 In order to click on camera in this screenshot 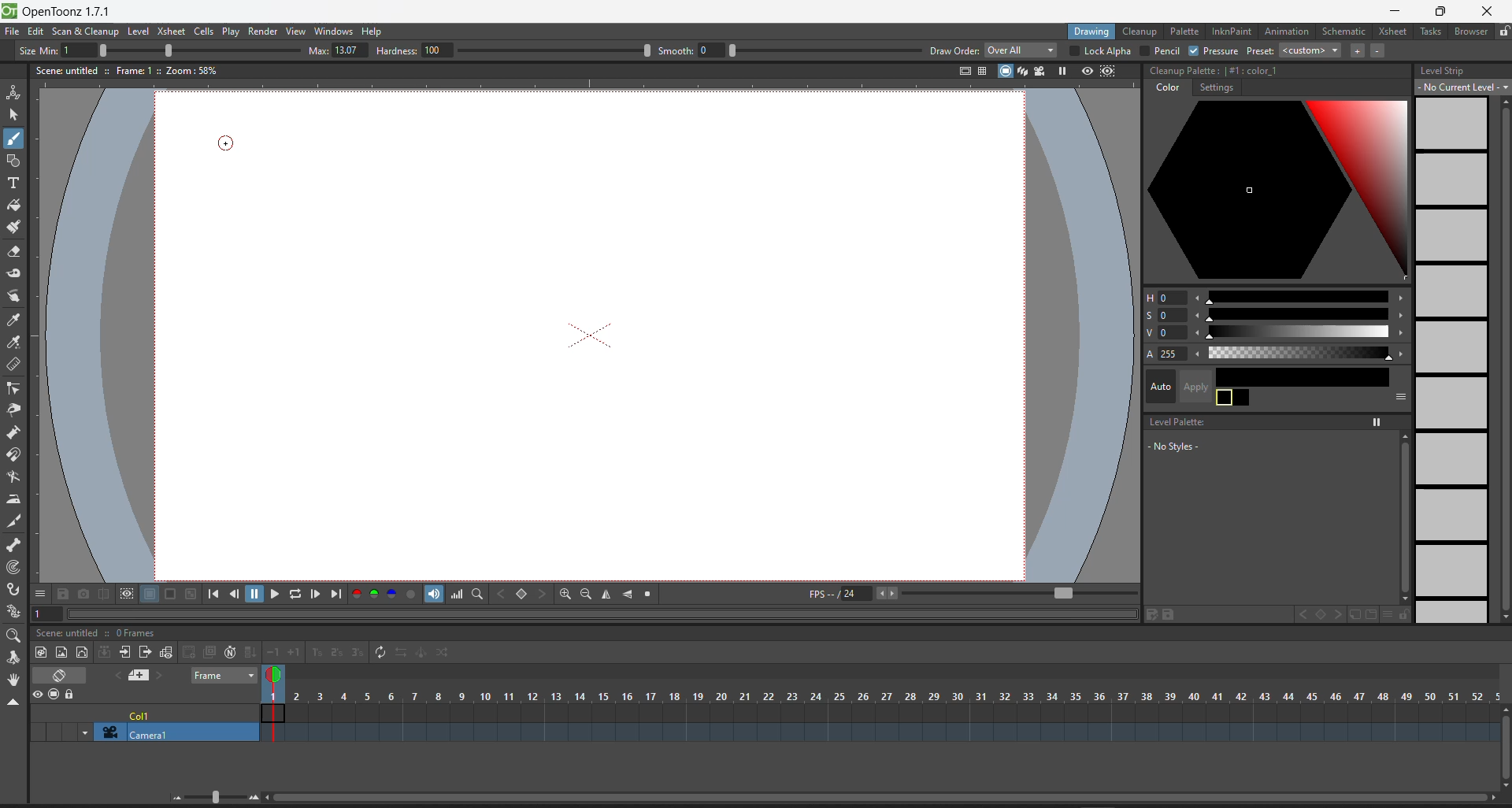, I will do `click(164, 732)`.